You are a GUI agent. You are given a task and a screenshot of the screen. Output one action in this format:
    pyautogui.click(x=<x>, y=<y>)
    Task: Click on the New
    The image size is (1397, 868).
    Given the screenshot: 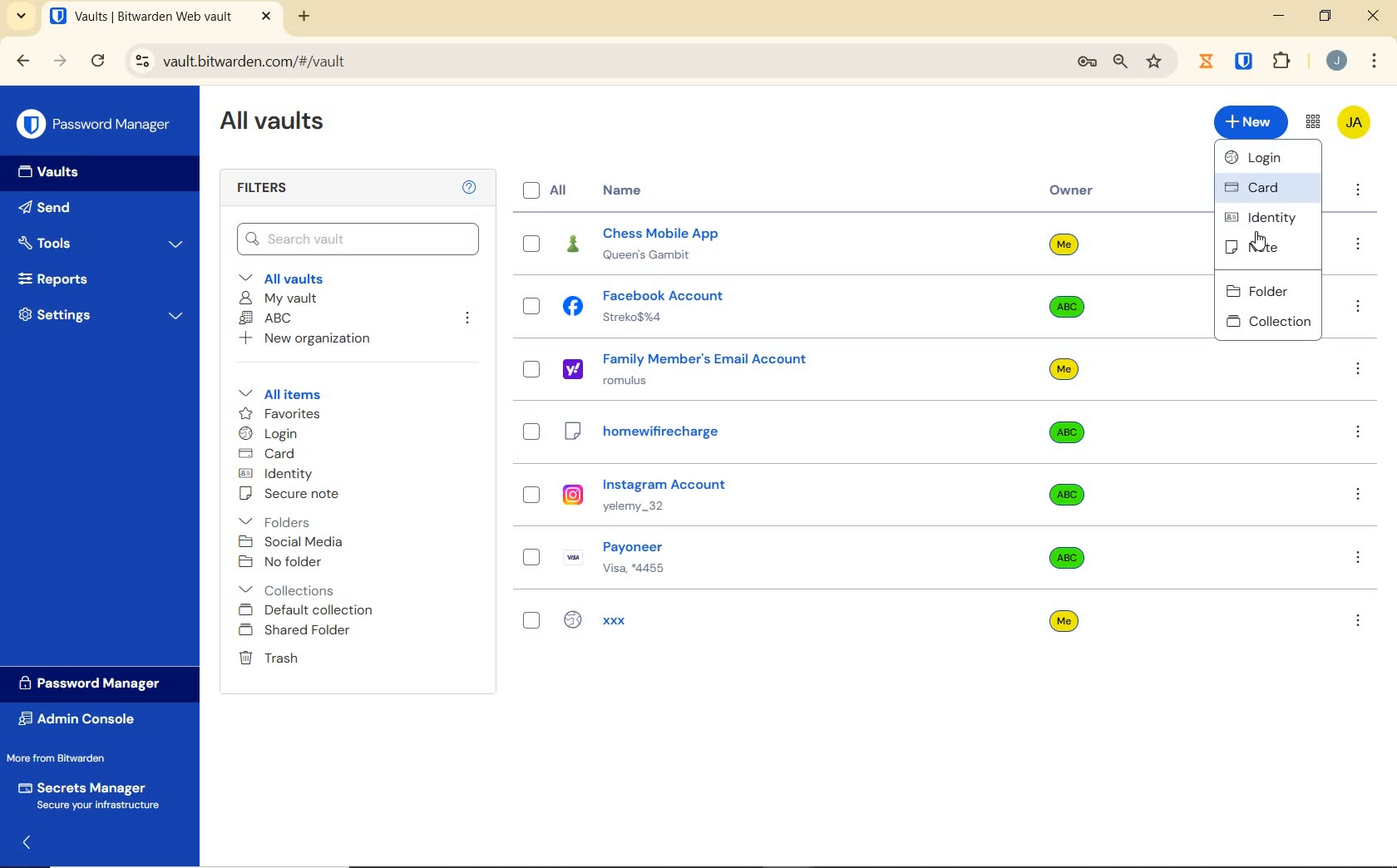 What is the action you would take?
    pyautogui.click(x=1250, y=122)
    